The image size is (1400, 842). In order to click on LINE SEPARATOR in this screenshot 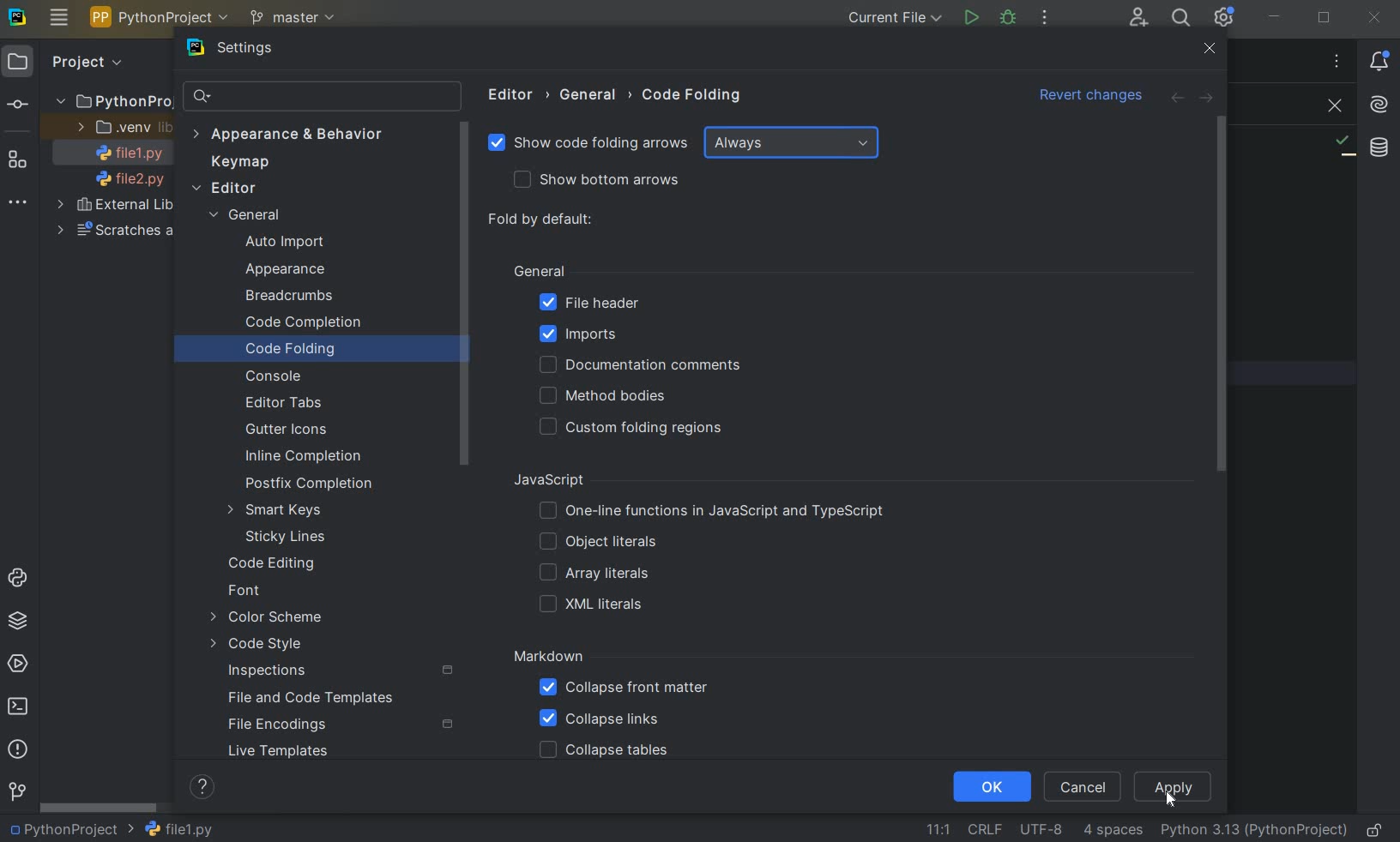, I will do `click(984, 828)`.